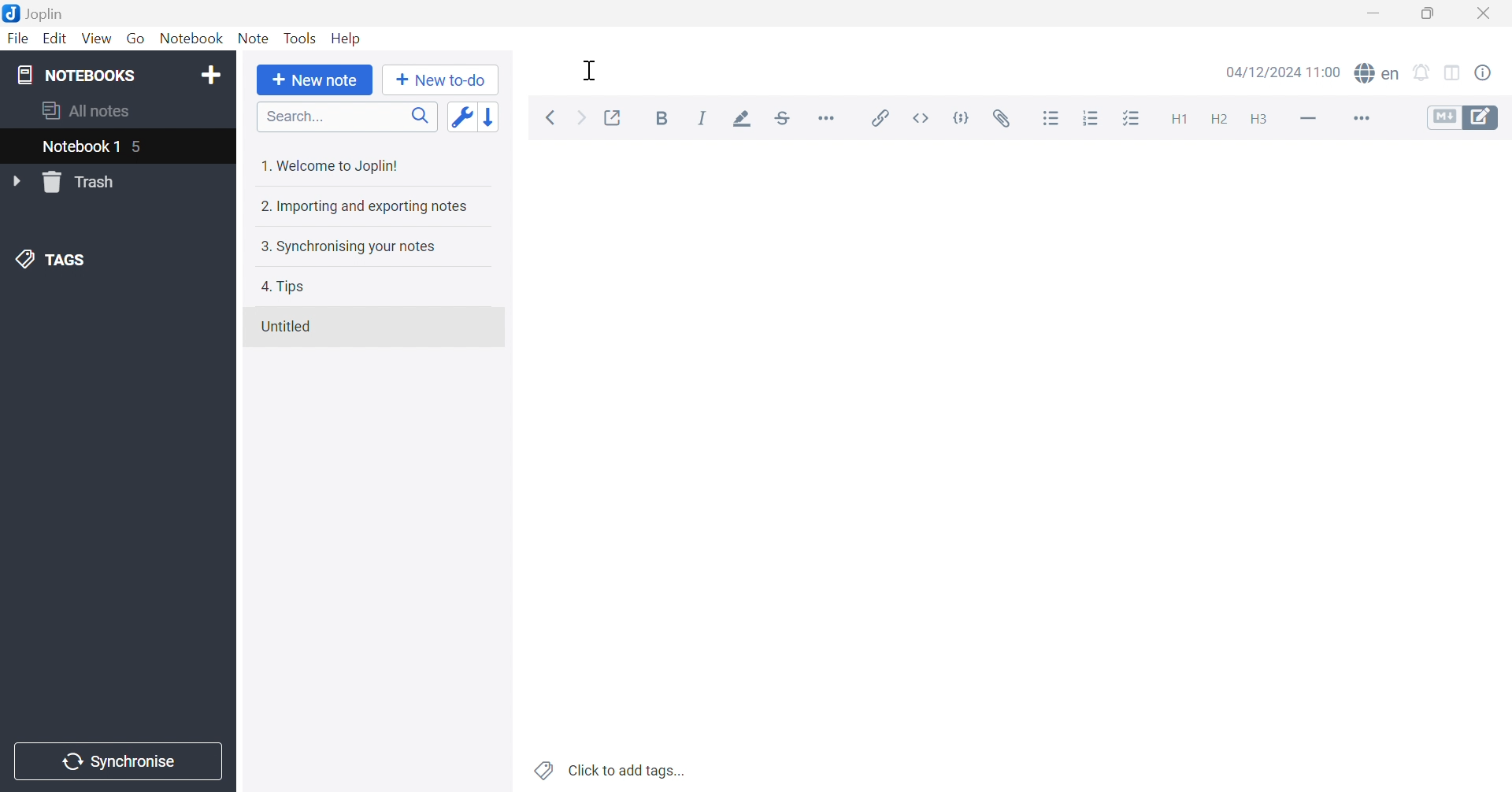 This screenshot has height=792, width=1512. I want to click on Toggle editors, so click(1463, 118).